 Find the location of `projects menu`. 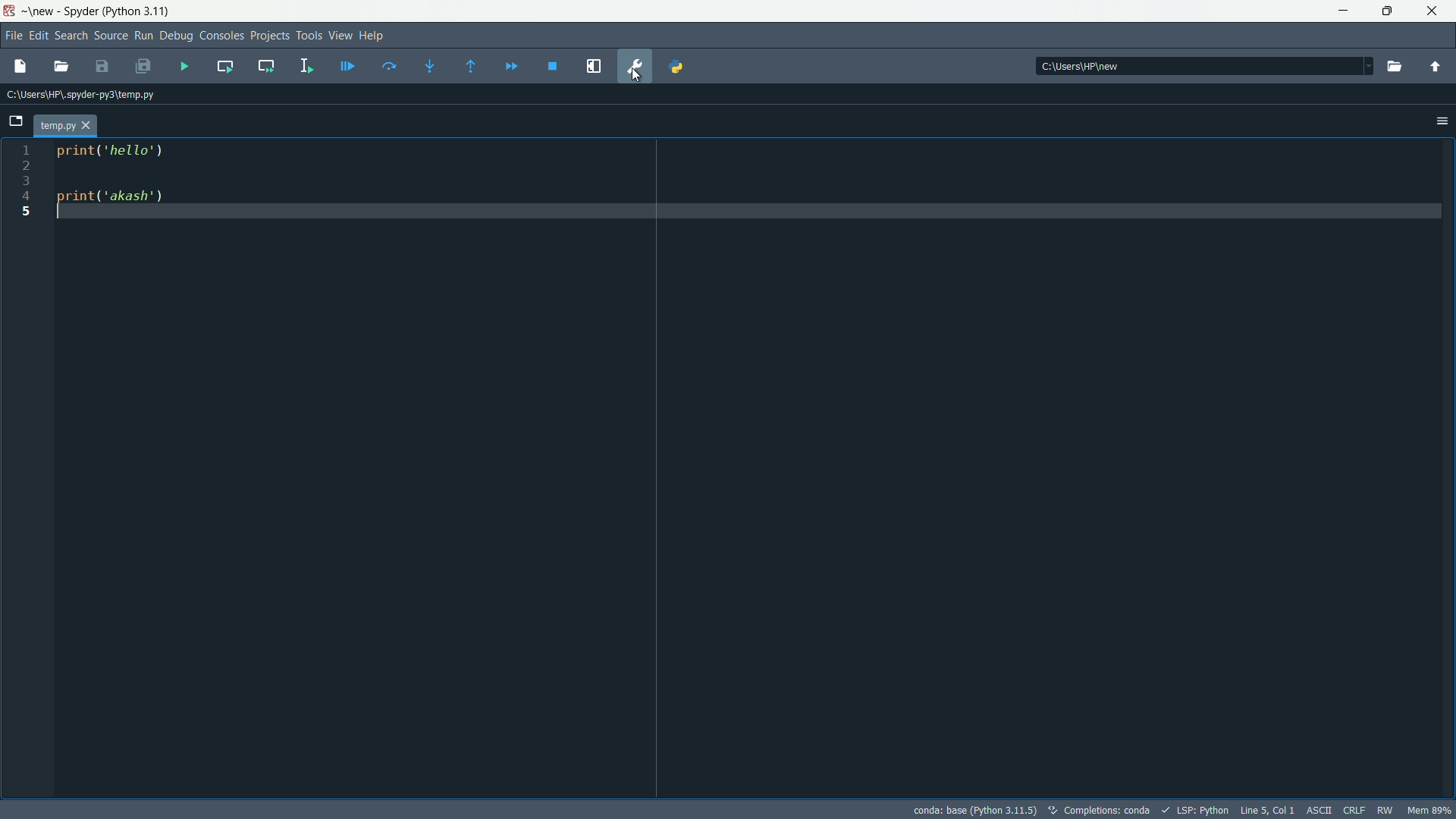

projects menu is located at coordinates (270, 36).